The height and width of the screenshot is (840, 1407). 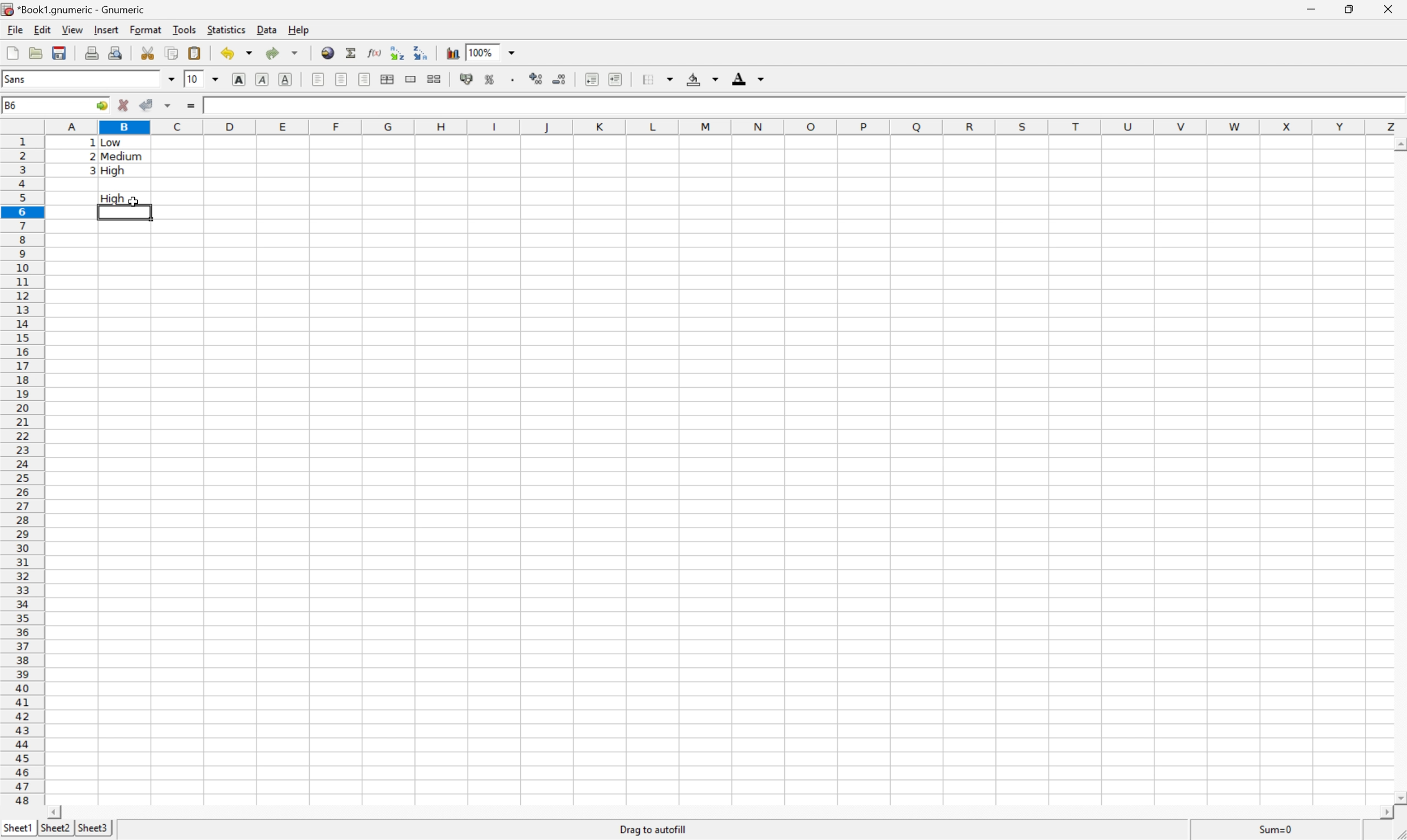 I want to click on Go to, so click(x=100, y=106).